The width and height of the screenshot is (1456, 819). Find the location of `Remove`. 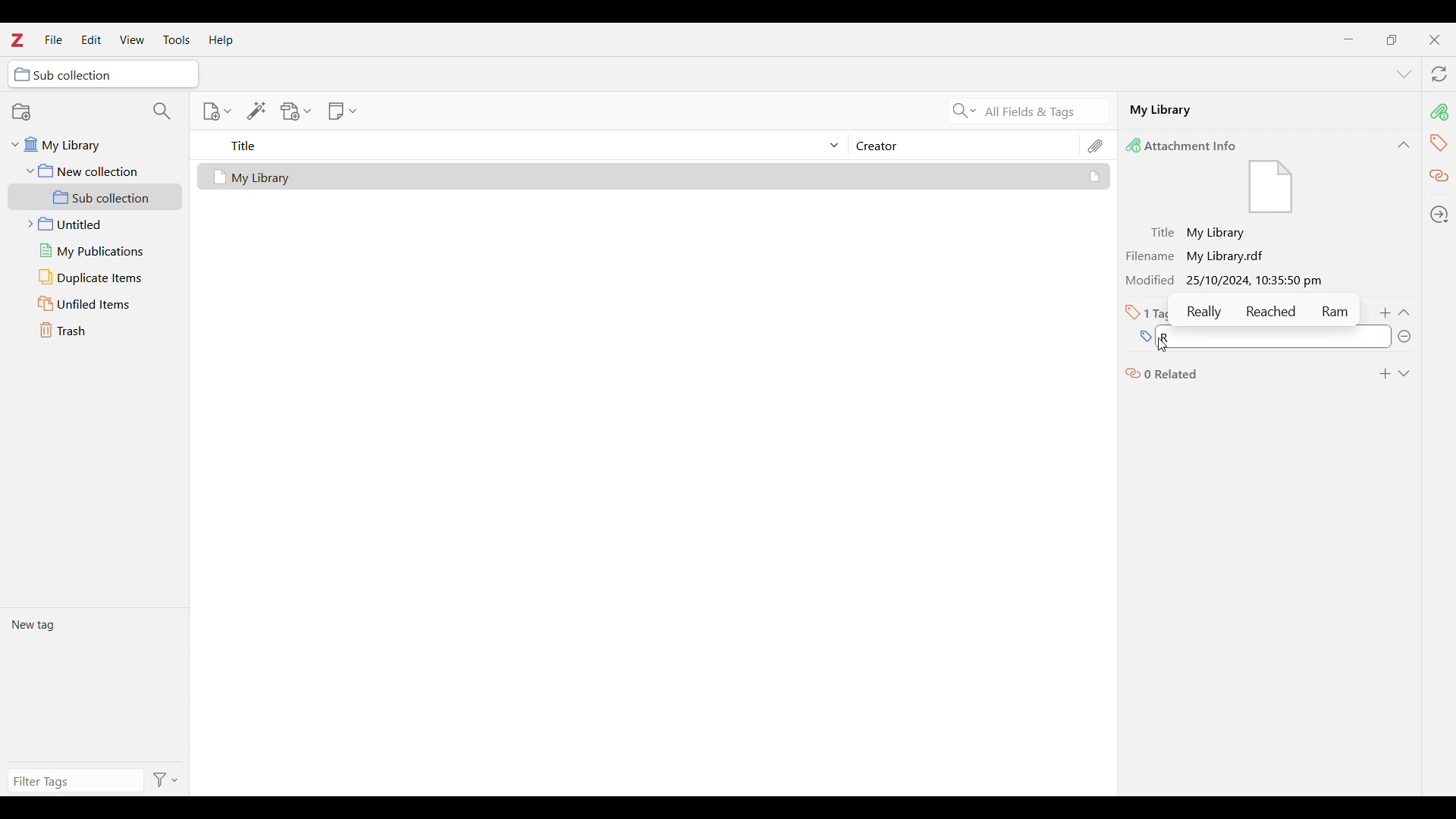

Remove is located at coordinates (1404, 337).